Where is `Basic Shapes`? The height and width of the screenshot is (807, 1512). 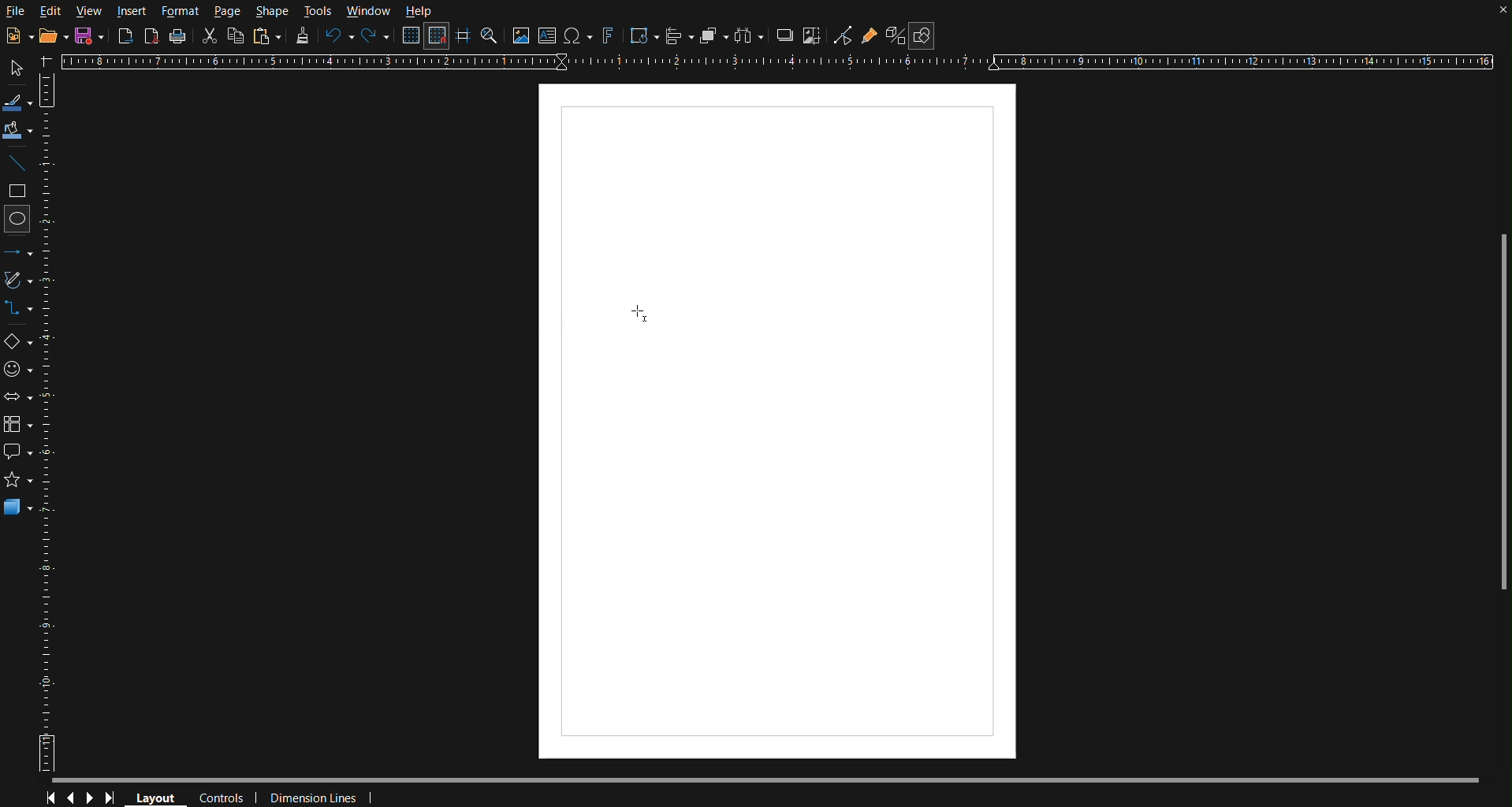
Basic Shapes is located at coordinates (17, 338).